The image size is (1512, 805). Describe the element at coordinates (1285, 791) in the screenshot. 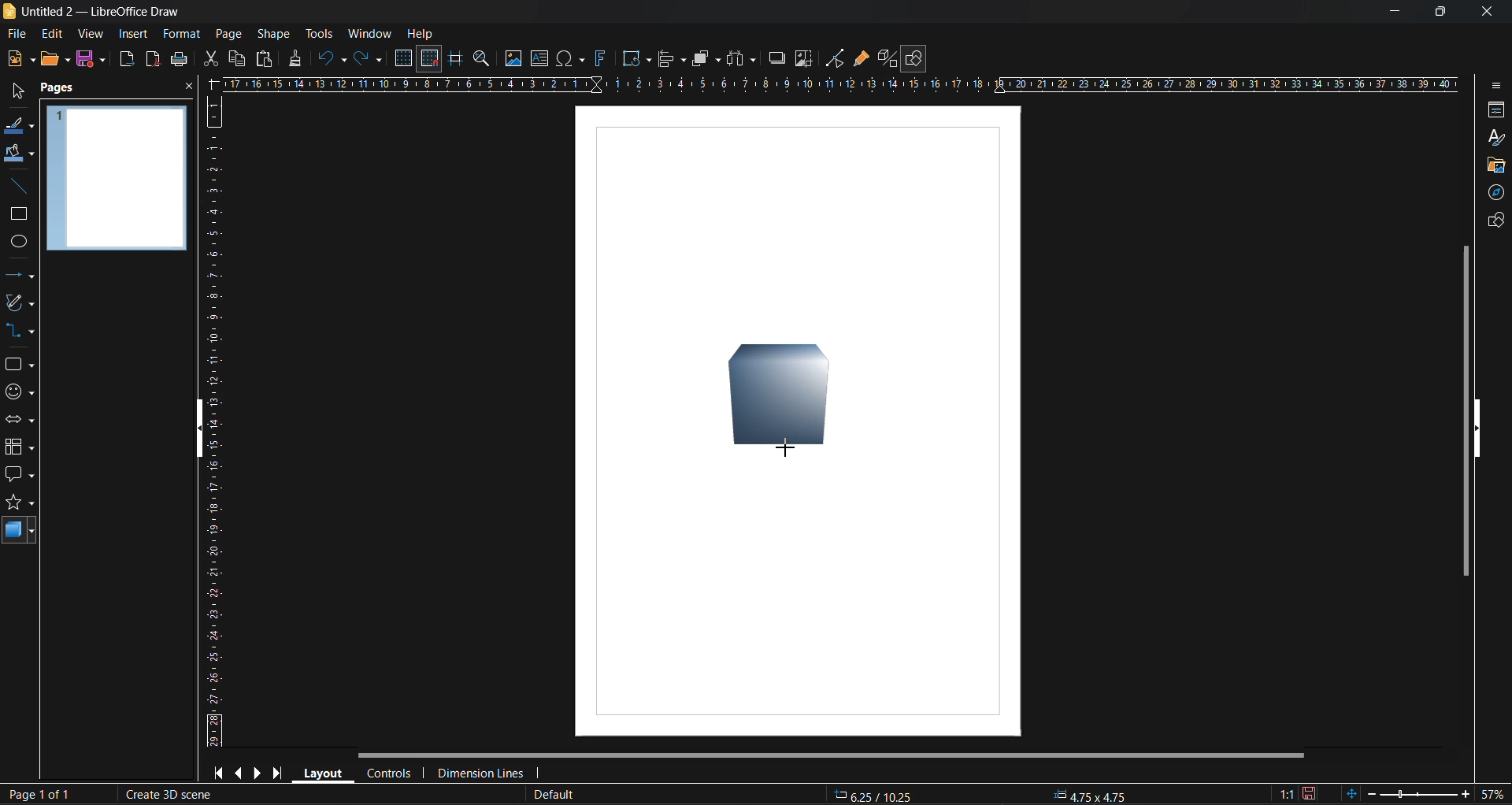

I see `scaling factor` at that location.